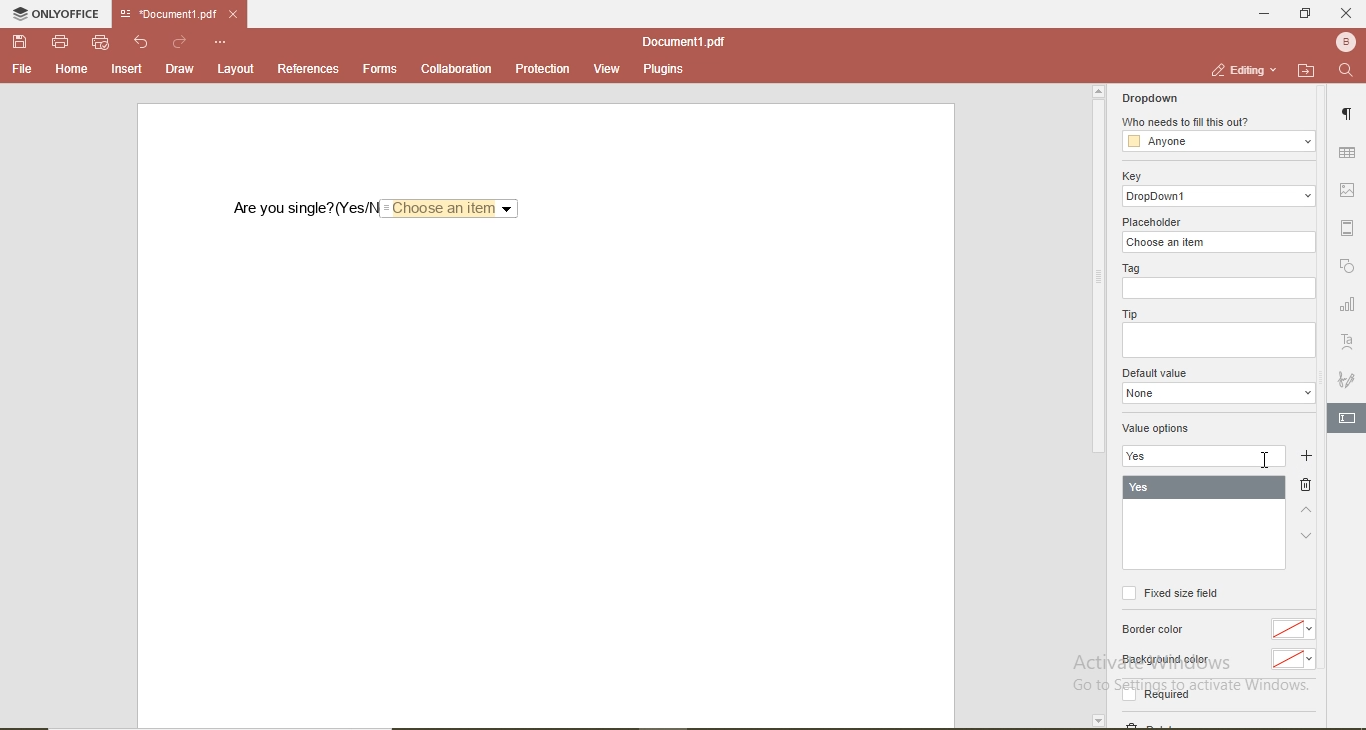 The image size is (1366, 730). I want to click on quick print, so click(101, 43).